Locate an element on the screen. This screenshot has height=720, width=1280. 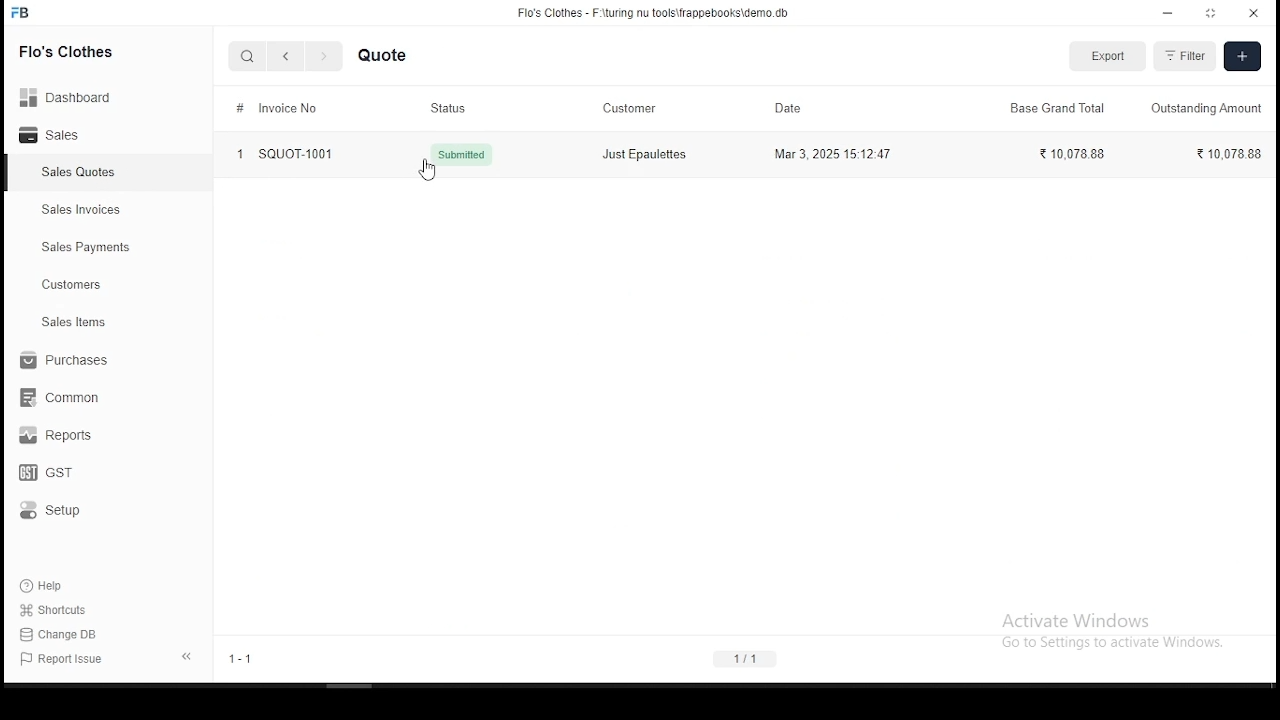
{, Submitted is located at coordinates (463, 154).